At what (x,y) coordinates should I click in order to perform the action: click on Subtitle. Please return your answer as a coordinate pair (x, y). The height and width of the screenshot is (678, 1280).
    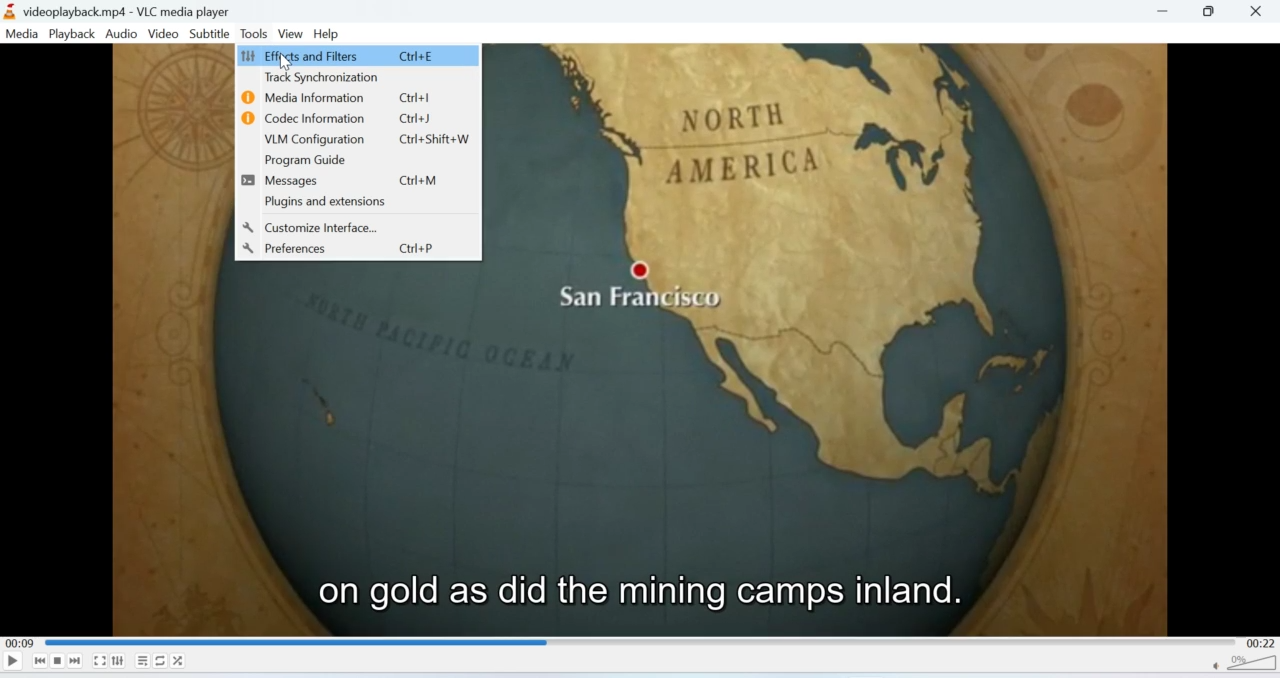
    Looking at the image, I should click on (210, 33).